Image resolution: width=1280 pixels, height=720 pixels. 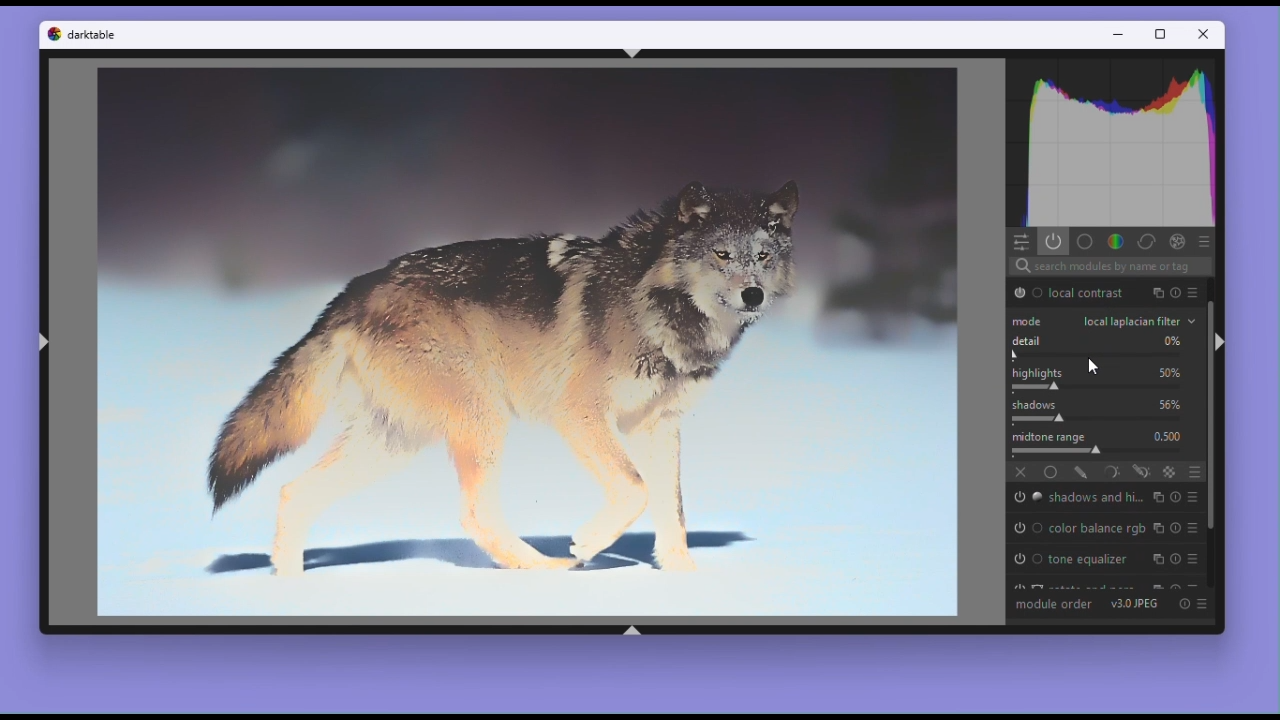 What do you see at coordinates (1103, 322) in the screenshot?
I see `Local laplacian filter` at bounding box center [1103, 322].